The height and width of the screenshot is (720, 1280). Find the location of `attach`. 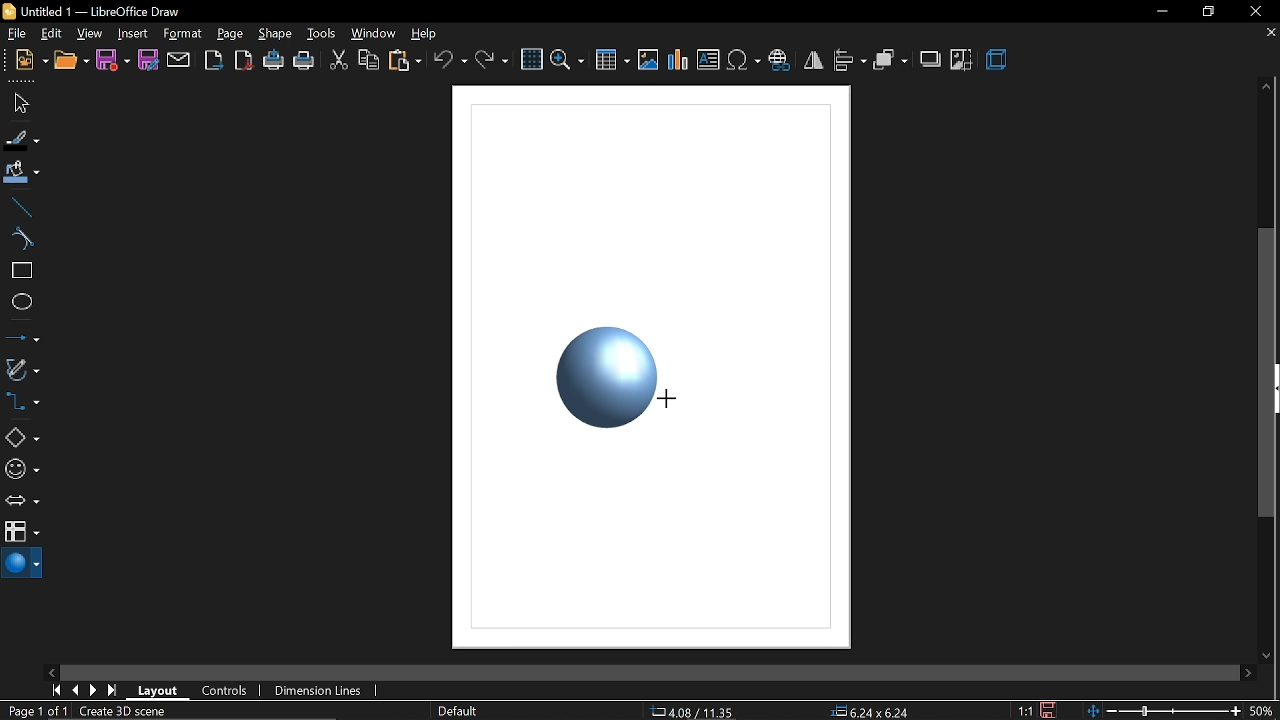

attach is located at coordinates (179, 61).